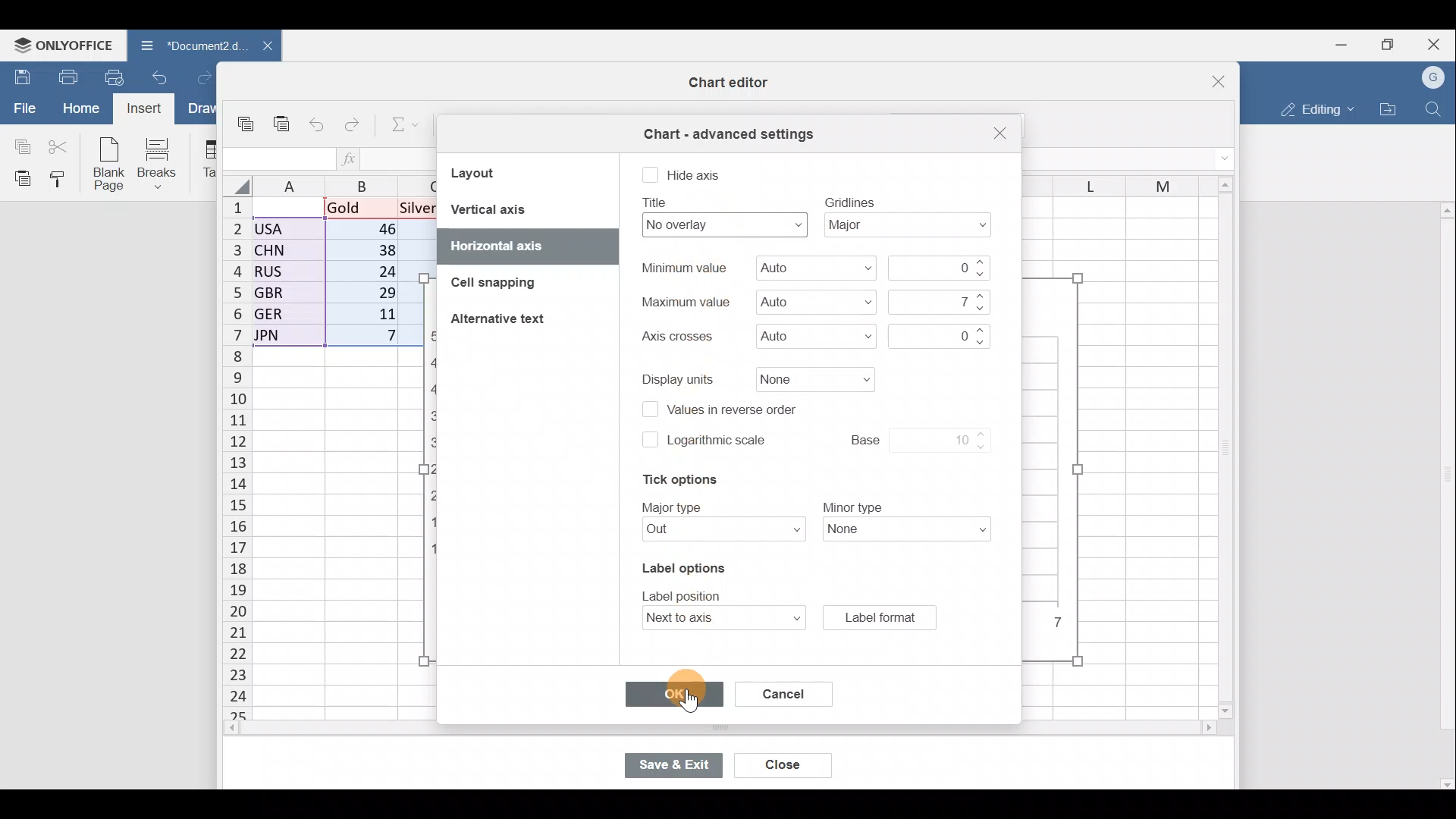 This screenshot has width=1456, height=819. Describe the element at coordinates (850, 201) in the screenshot. I see `text` at that location.